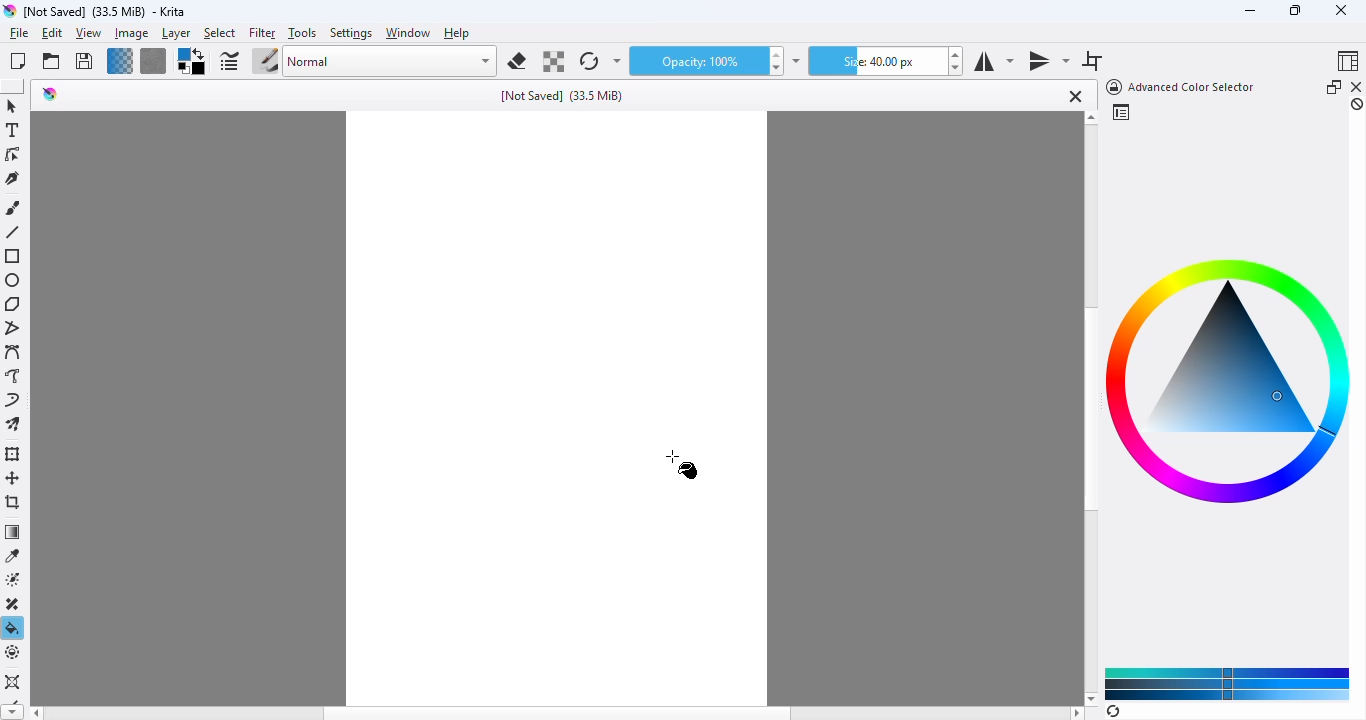 The width and height of the screenshot is (1366, 720). I want to click on set eraser mode, so click(517, 61).